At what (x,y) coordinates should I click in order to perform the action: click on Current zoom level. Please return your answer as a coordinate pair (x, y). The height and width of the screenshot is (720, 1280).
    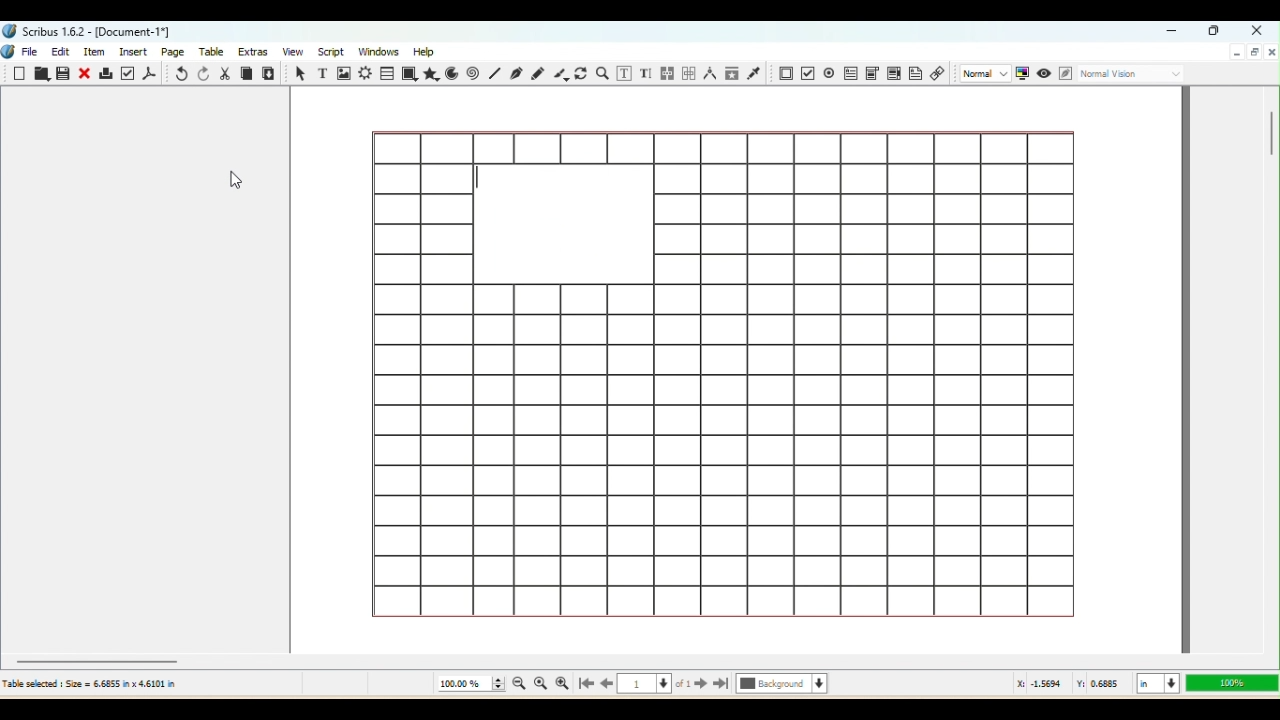
    Looking at the image, I should click on (470, 684).